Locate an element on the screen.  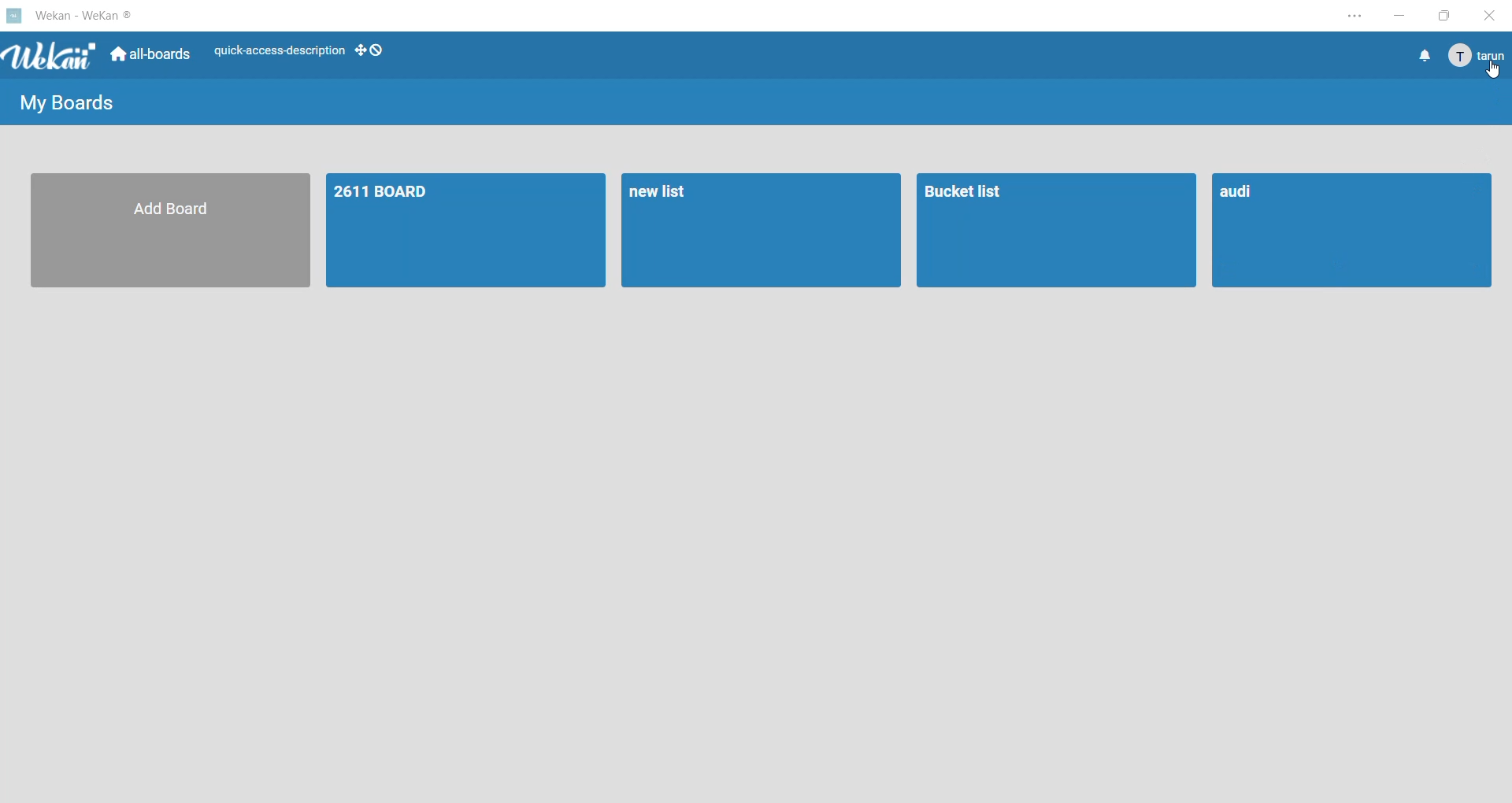
show desktop drag handles is located at coordinates (372, 50).